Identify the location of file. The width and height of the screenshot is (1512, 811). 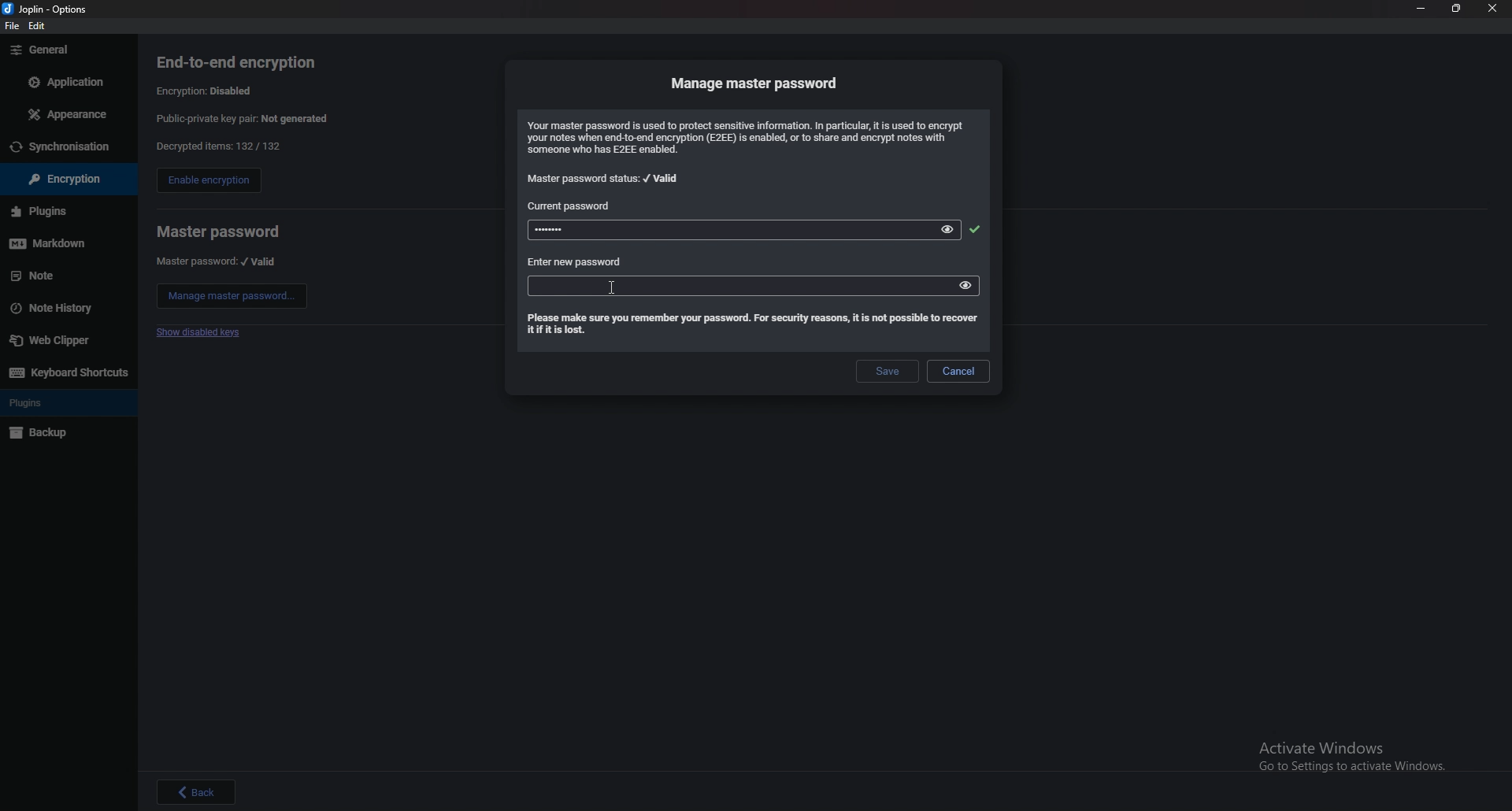
(13, 28).